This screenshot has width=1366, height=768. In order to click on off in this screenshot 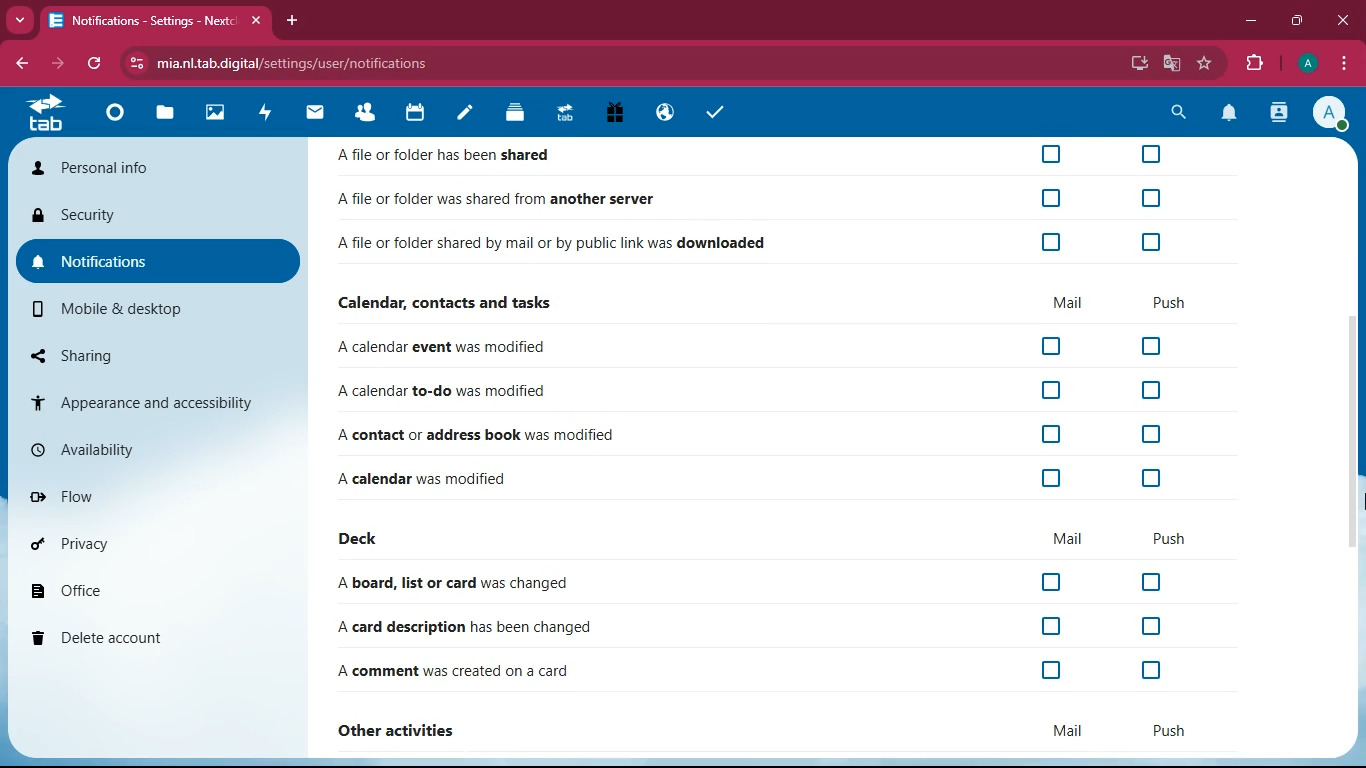, I will do `click(1149, 673)`.